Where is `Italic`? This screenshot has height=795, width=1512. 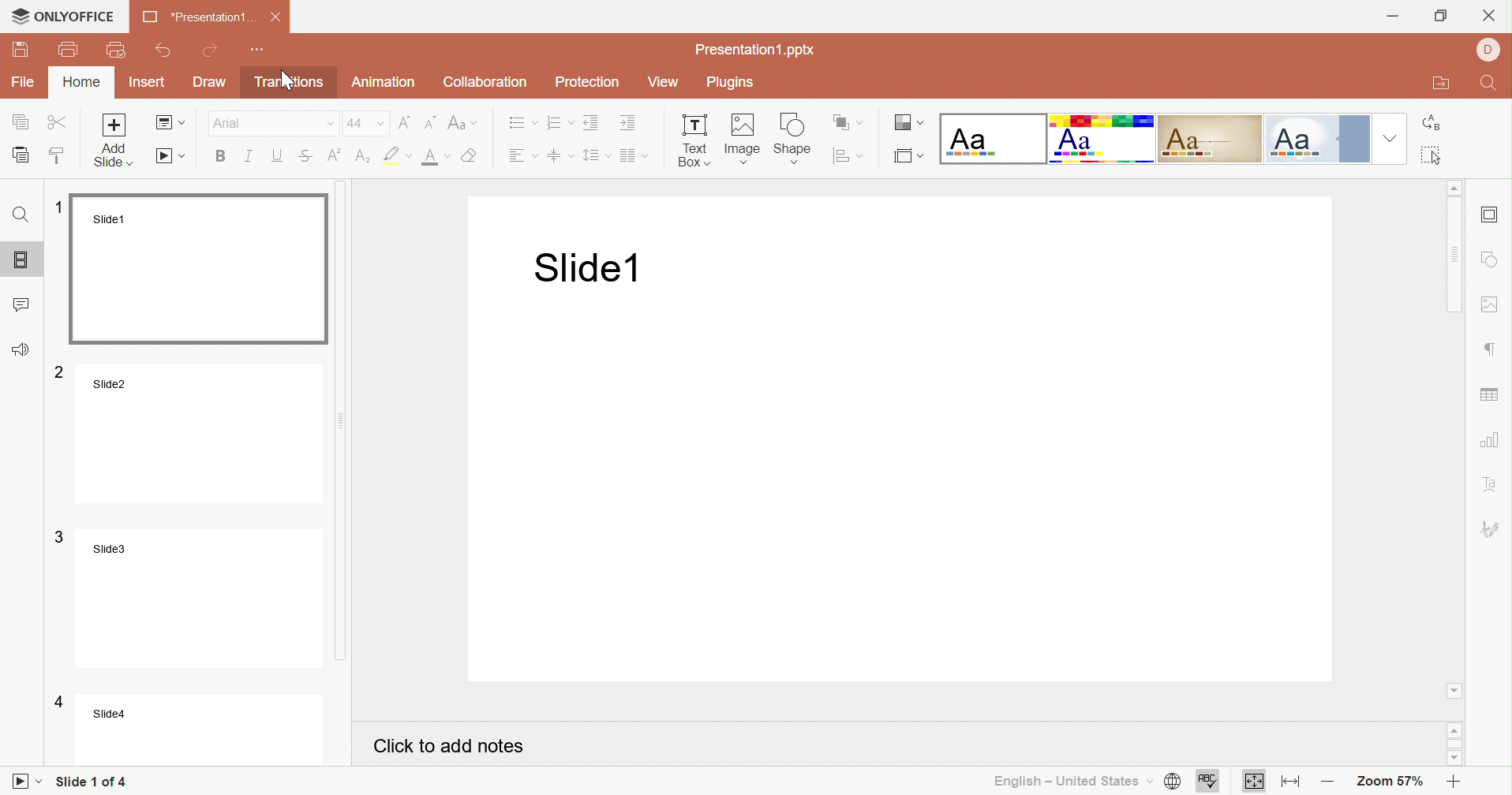 Italic is located at coordinates (254, 158).